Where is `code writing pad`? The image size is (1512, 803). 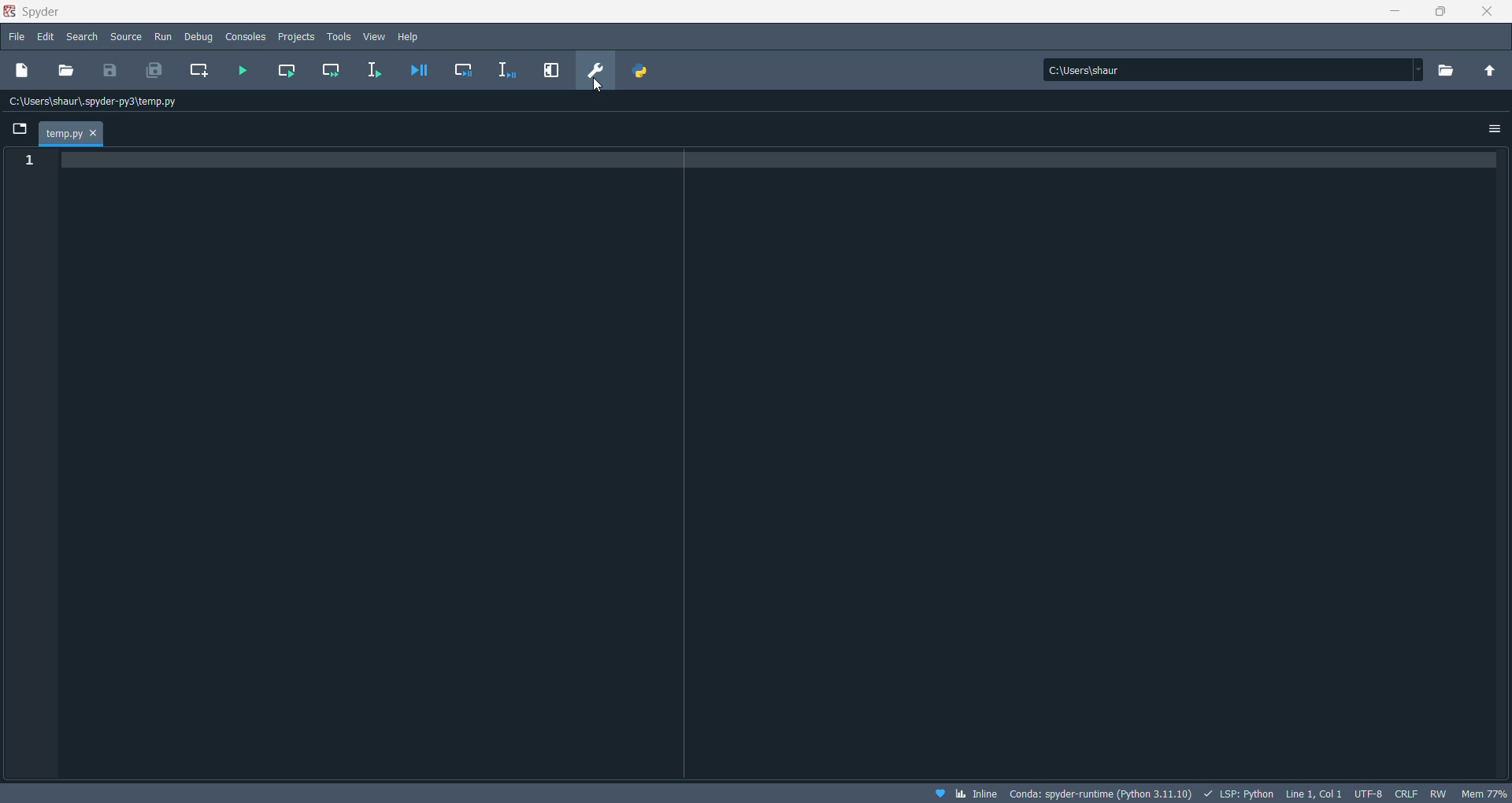 code writing pad is located at coordinates (786, 463).